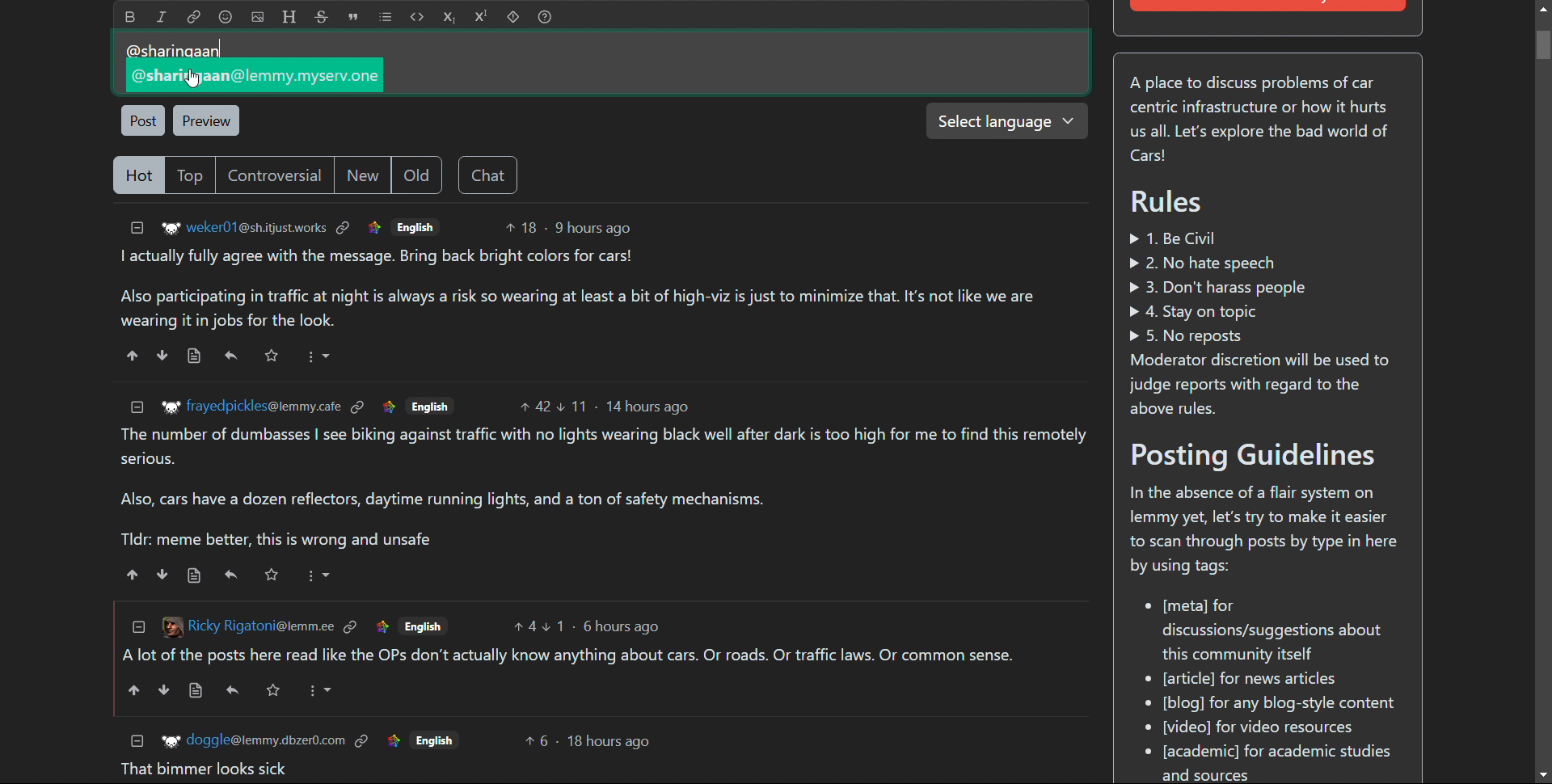 The width and height of the screenshot is (1552, 784). Describe the element at coordinates (482, 17) in the screenshot. I see `superscript` at that location.